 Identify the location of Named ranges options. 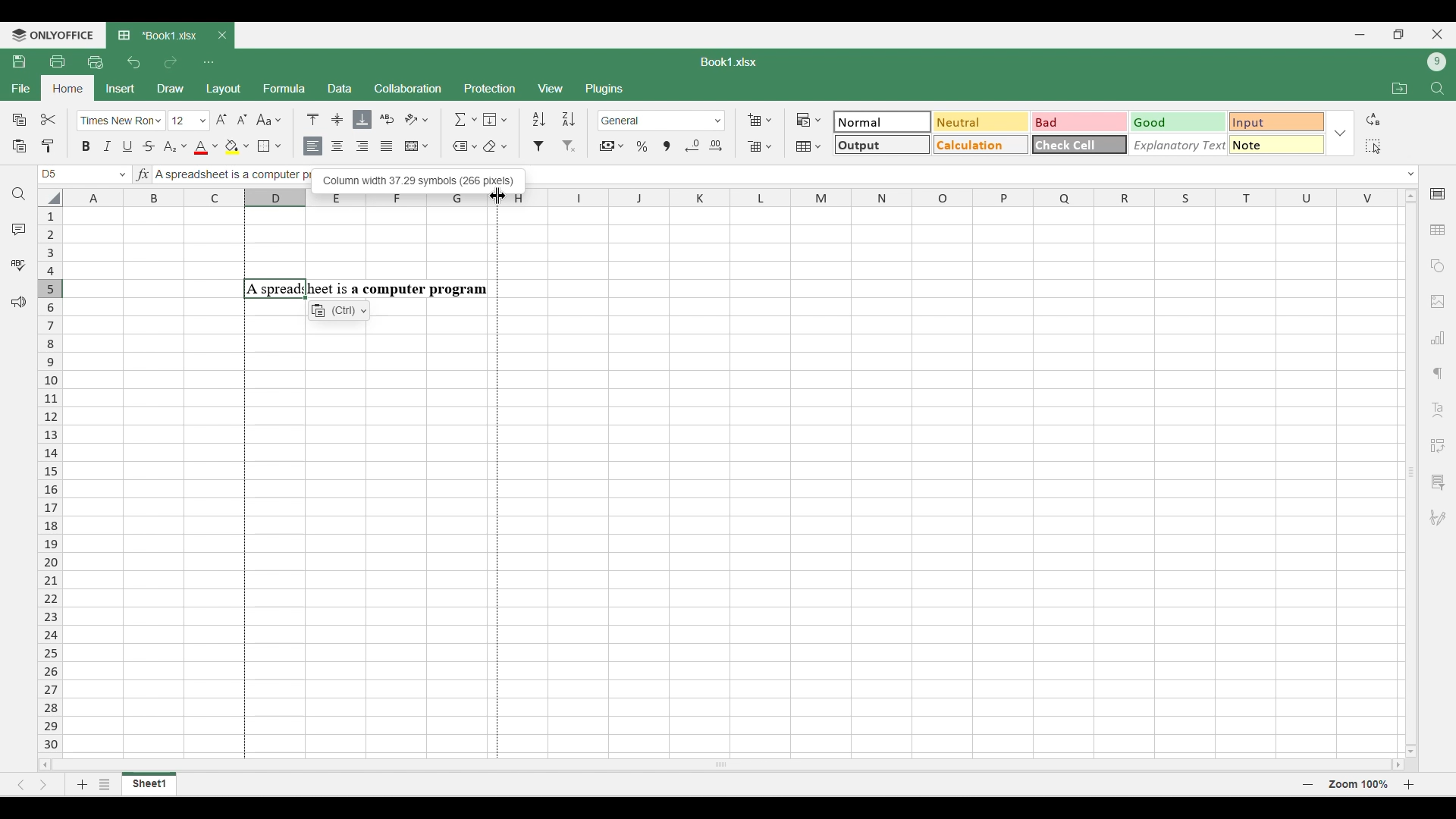
(465, 147).